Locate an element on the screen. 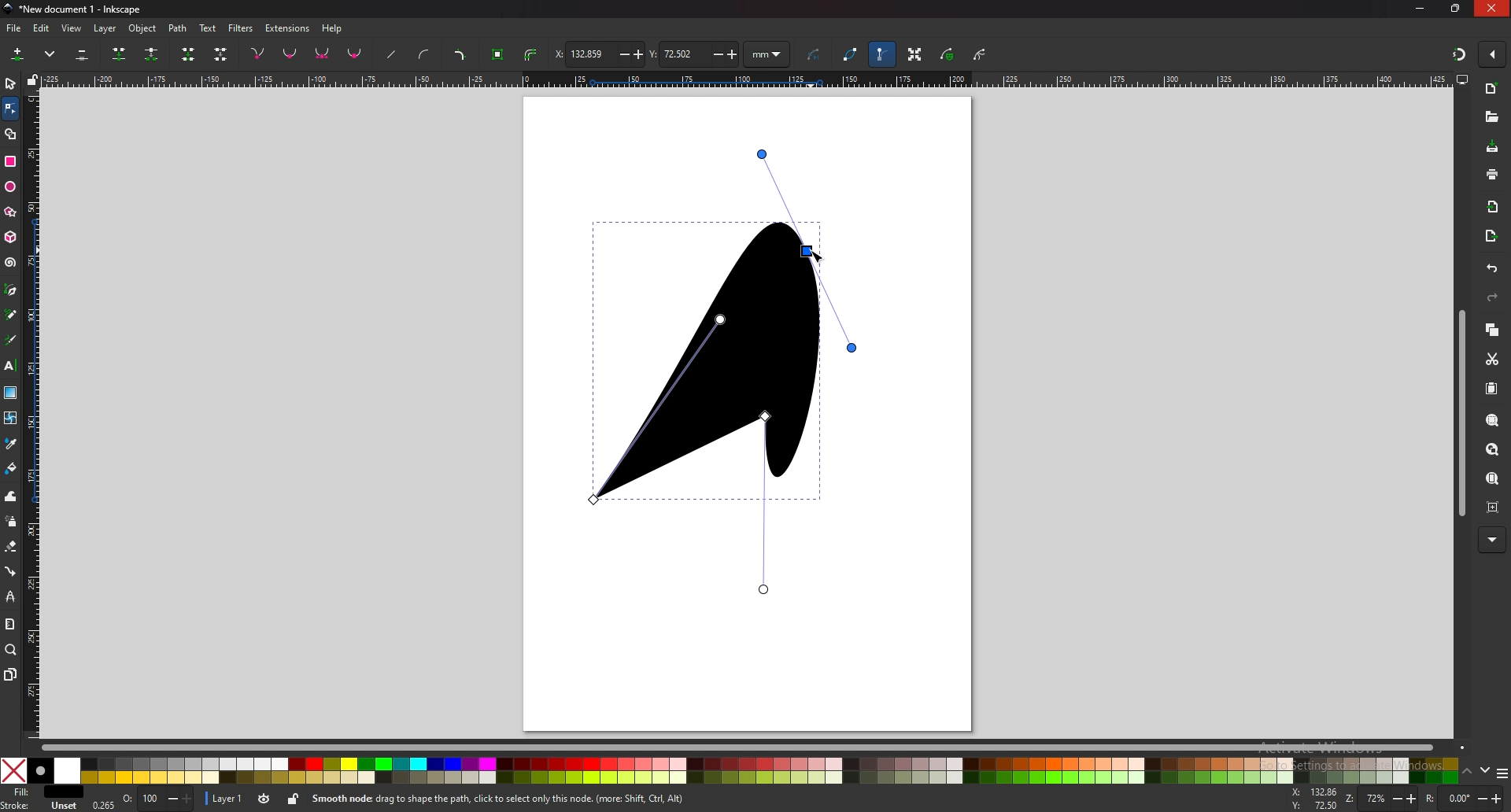 Image resolution: width=1511 pixels, height=812 pixels. snapping is located at coordinates (1459, 55).